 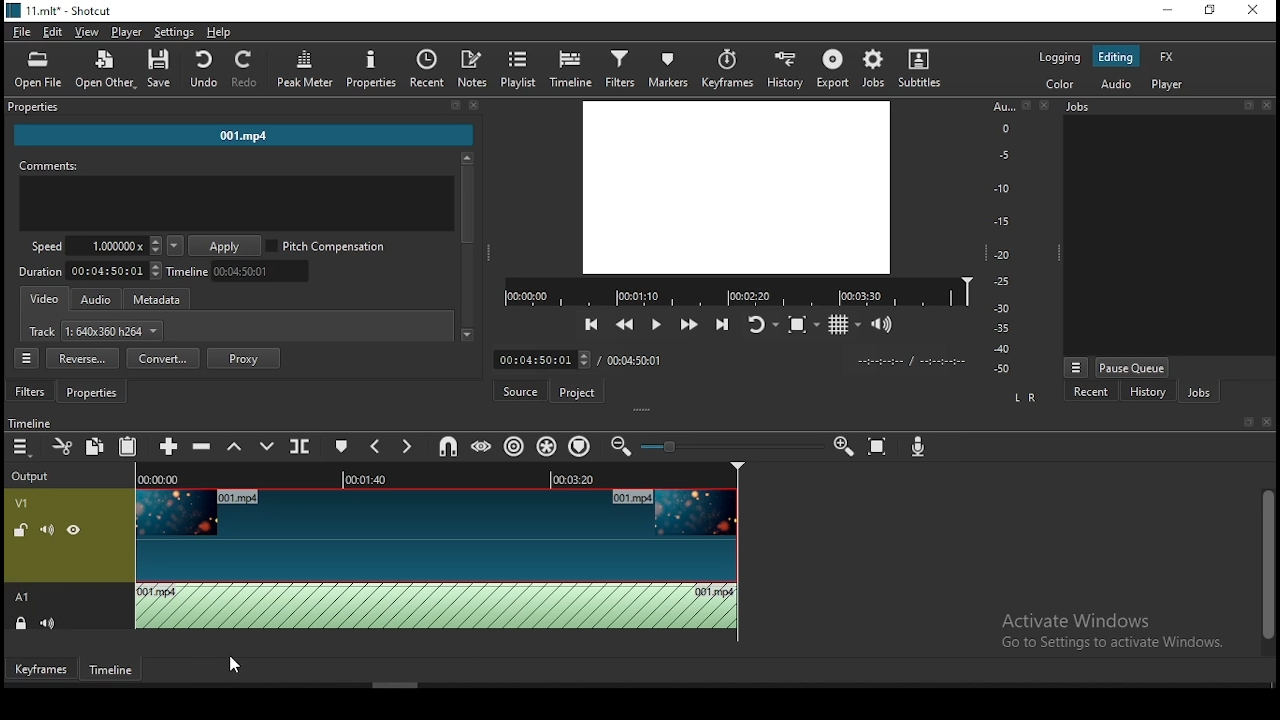 What do you see at coordinates (45, 301) in the screenshot?
I see `video` at bounding box center [45, 301].